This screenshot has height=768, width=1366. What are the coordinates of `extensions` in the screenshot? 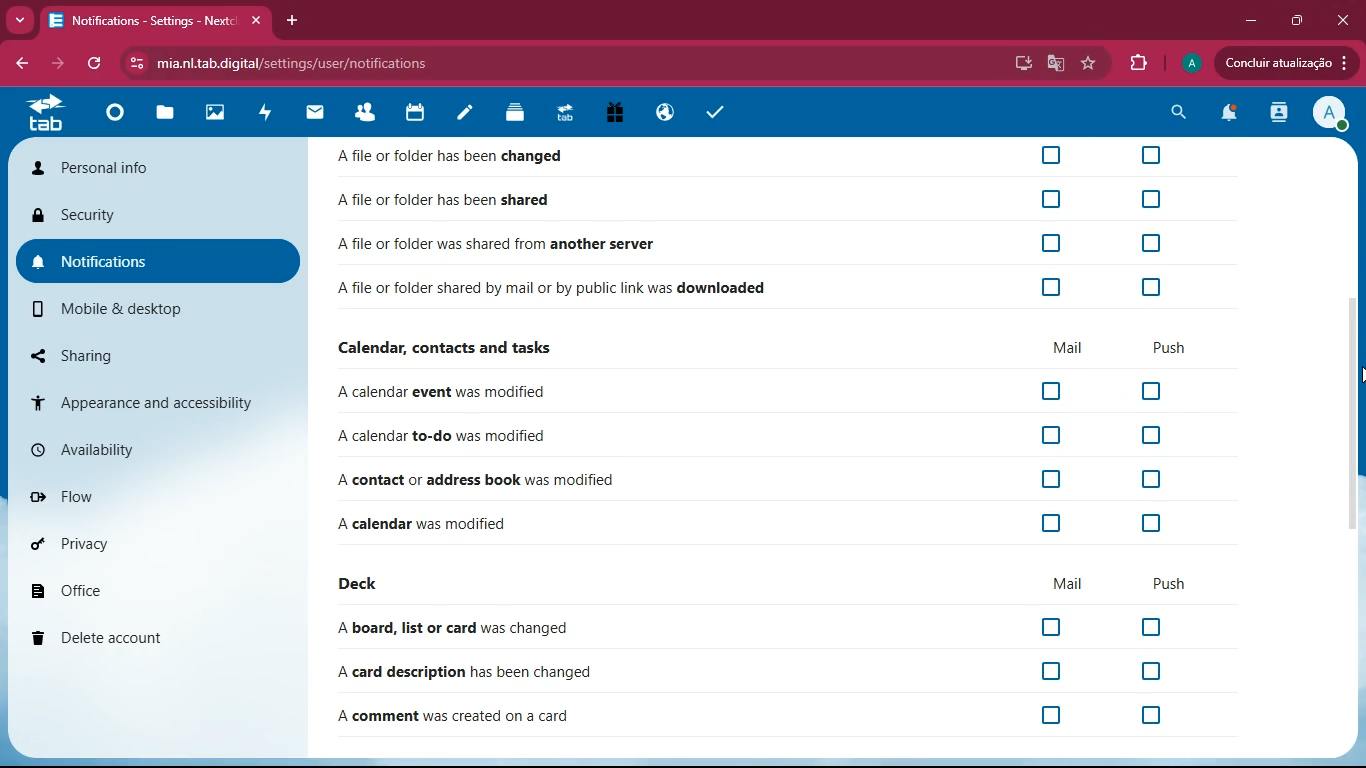 It's located at (1141, 64).